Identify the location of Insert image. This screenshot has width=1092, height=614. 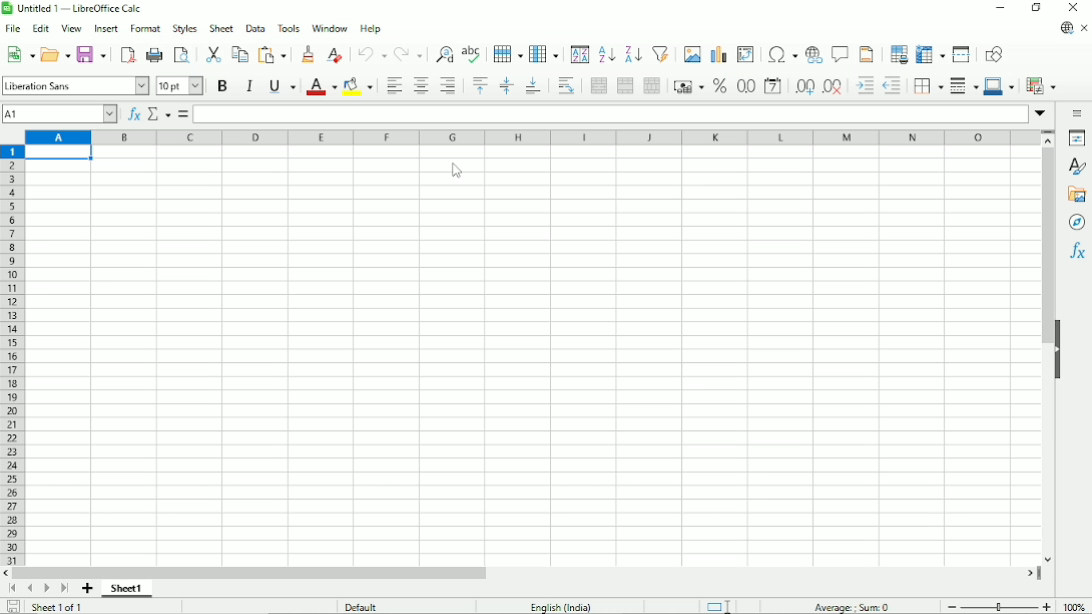
(691, 53).